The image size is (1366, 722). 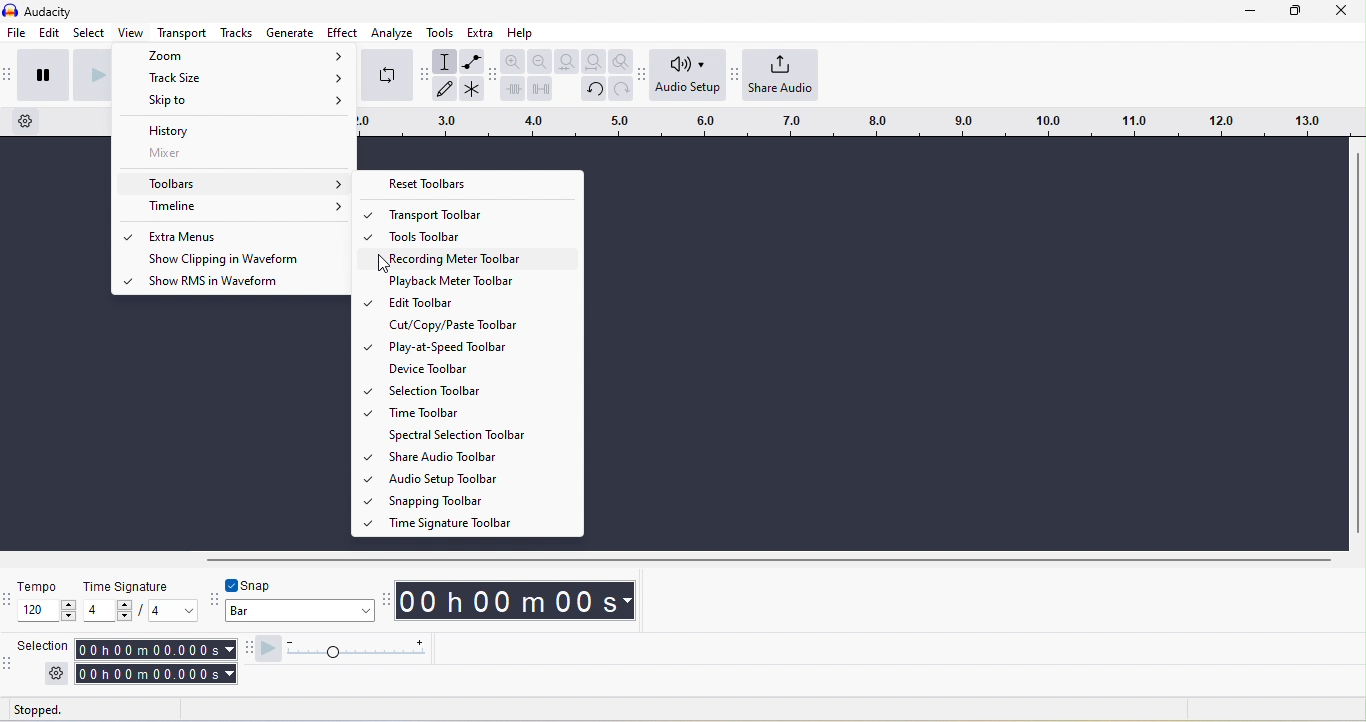 What do you see at coordinates (89, 32) in the screenshot?
I see `select` at bounding box center [89, 32].